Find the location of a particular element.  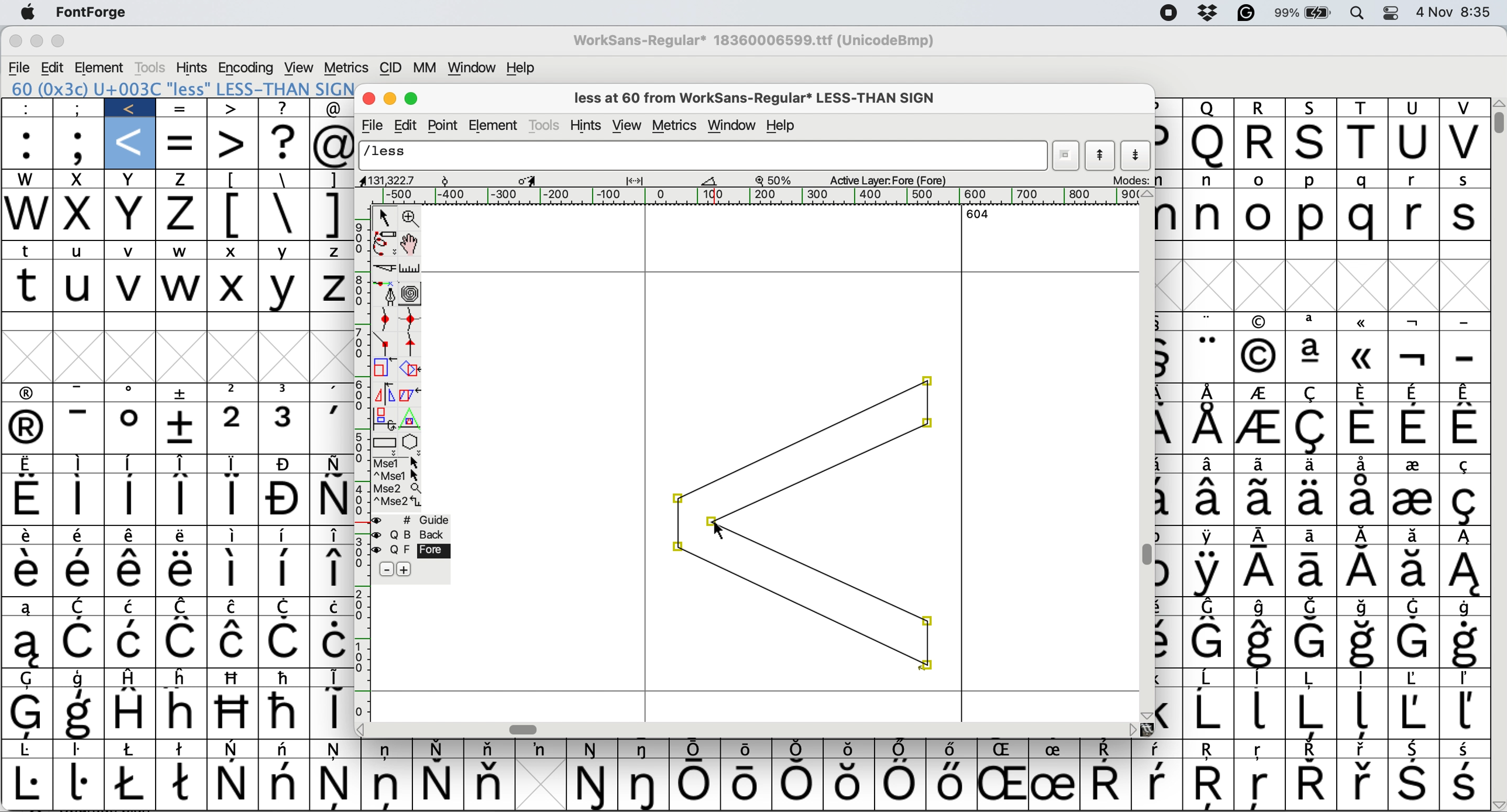

Symbol is located at coordinates (1312, 608).